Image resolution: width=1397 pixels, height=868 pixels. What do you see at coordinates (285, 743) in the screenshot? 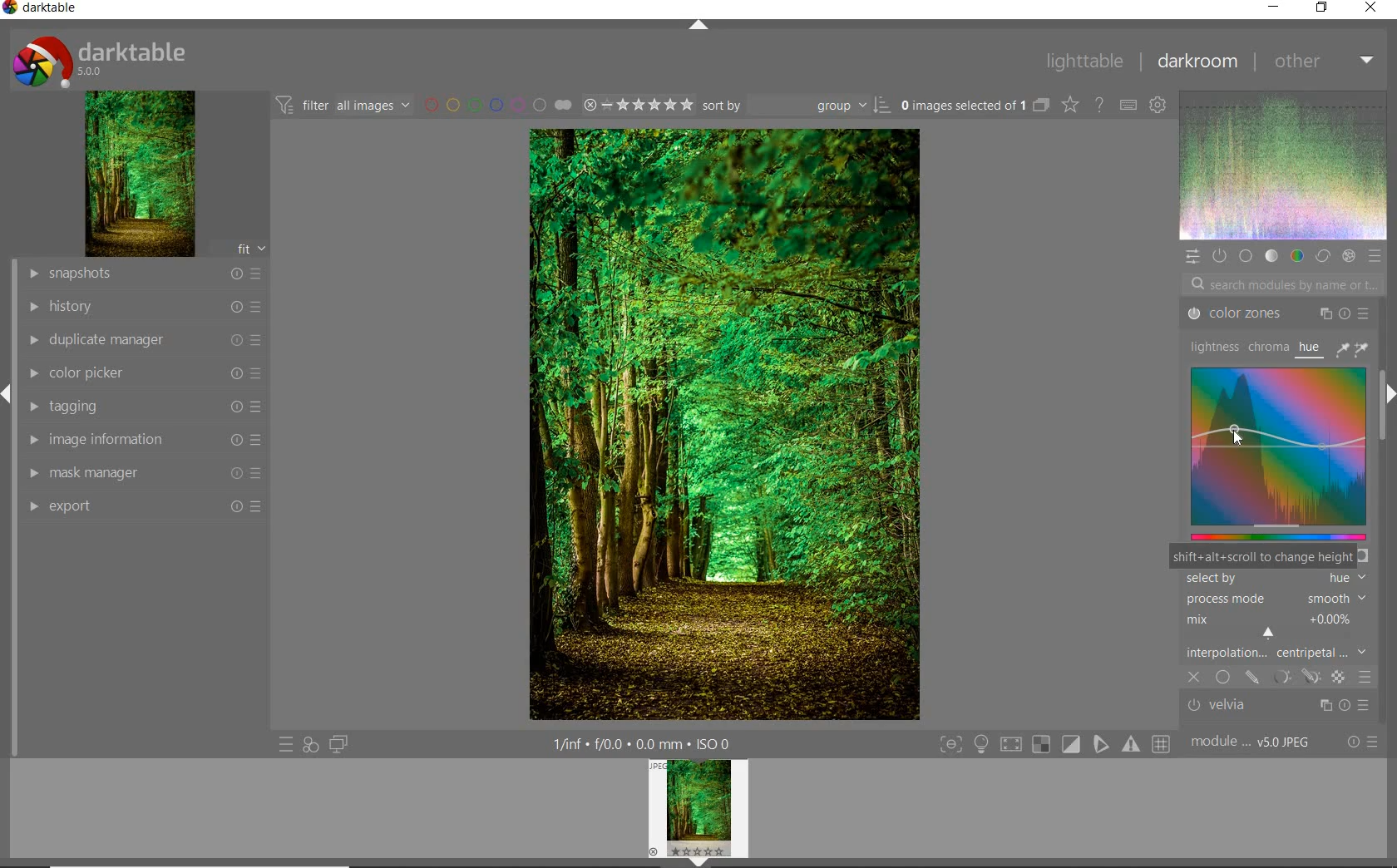
I see `QUICK ACCESS TO PRESETS` at bounding box center [285, 743].